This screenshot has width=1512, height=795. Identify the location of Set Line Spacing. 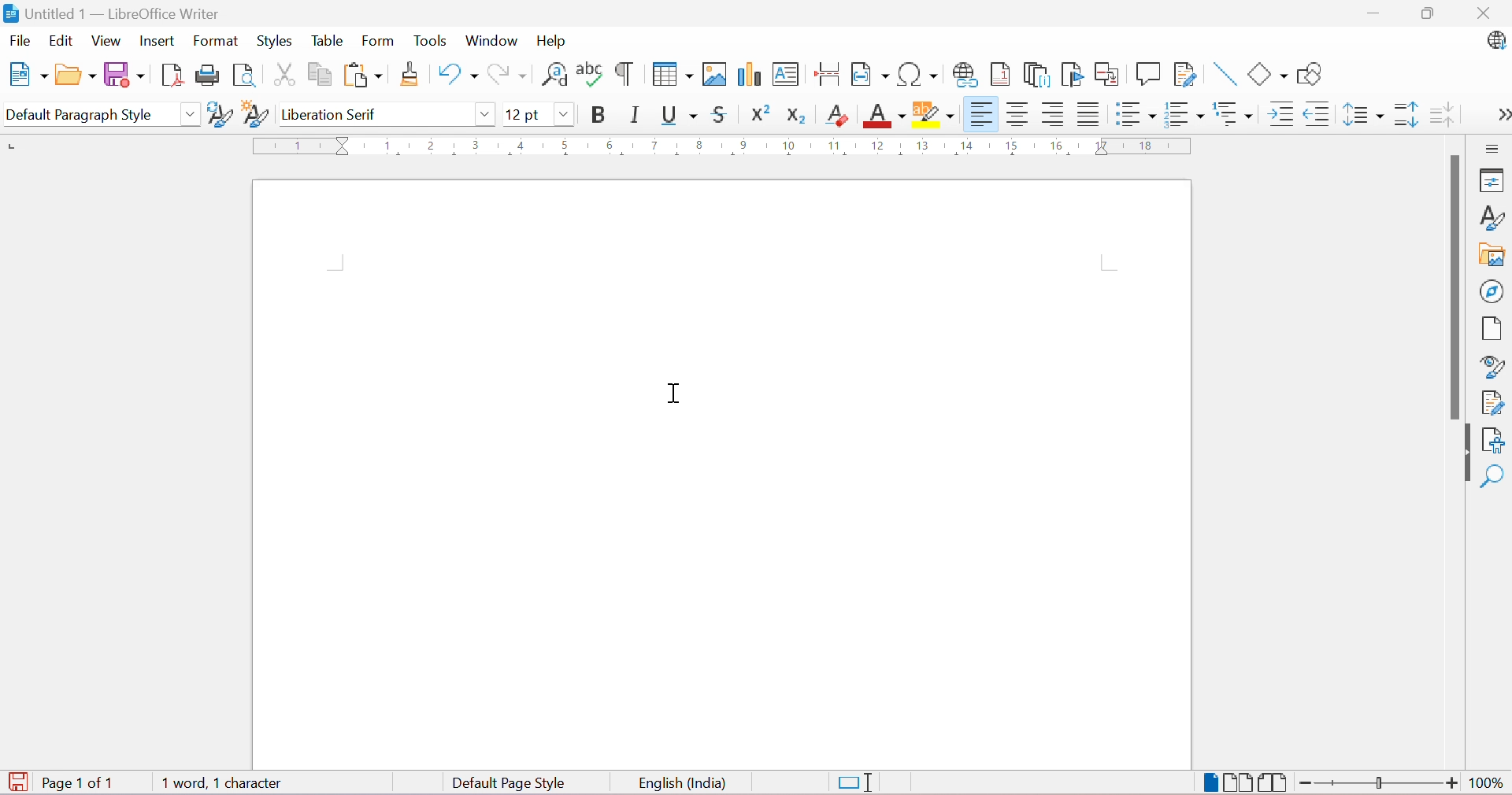
(1362, 112).